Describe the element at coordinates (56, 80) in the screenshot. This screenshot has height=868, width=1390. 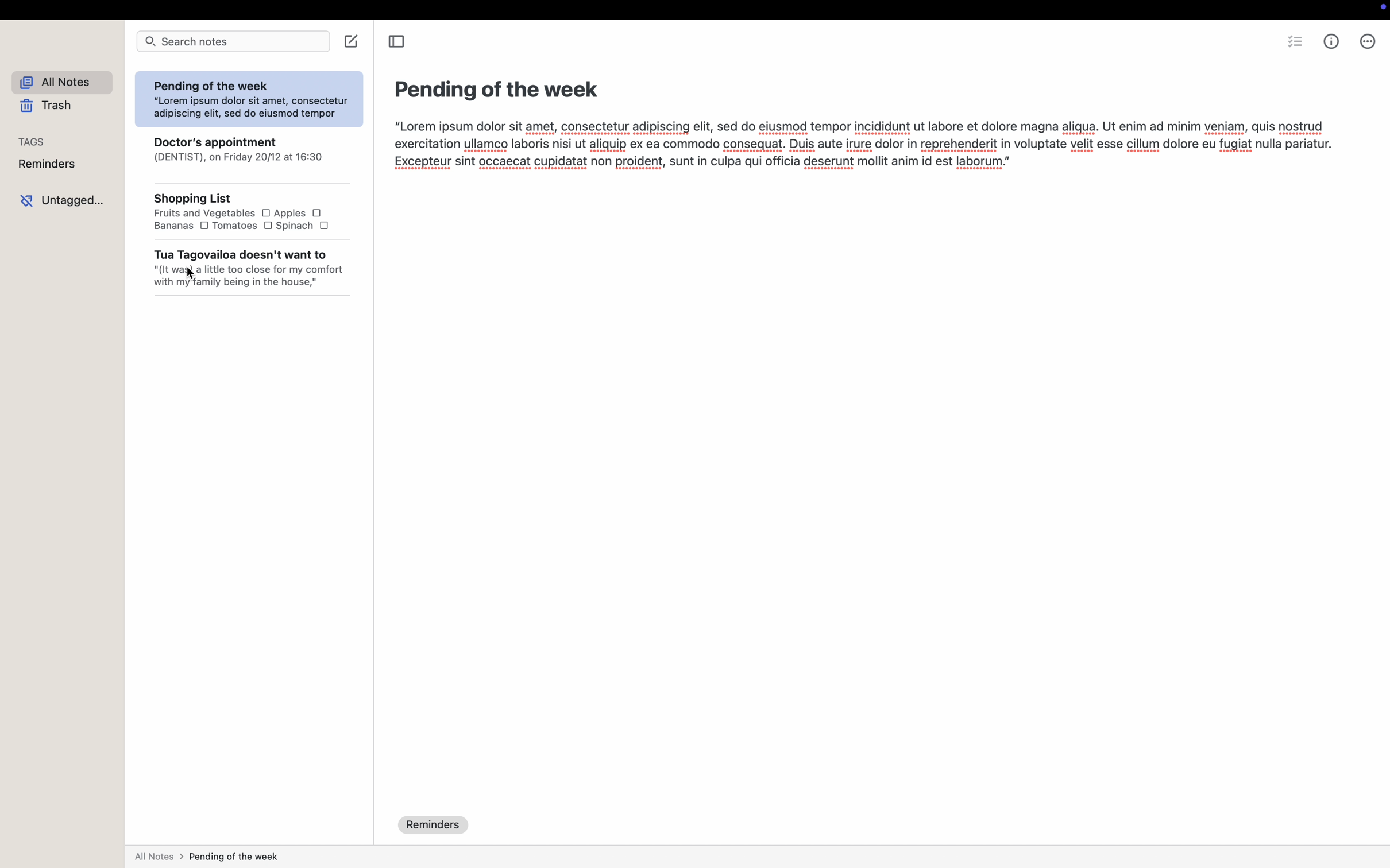
I see `all notes` at that location.